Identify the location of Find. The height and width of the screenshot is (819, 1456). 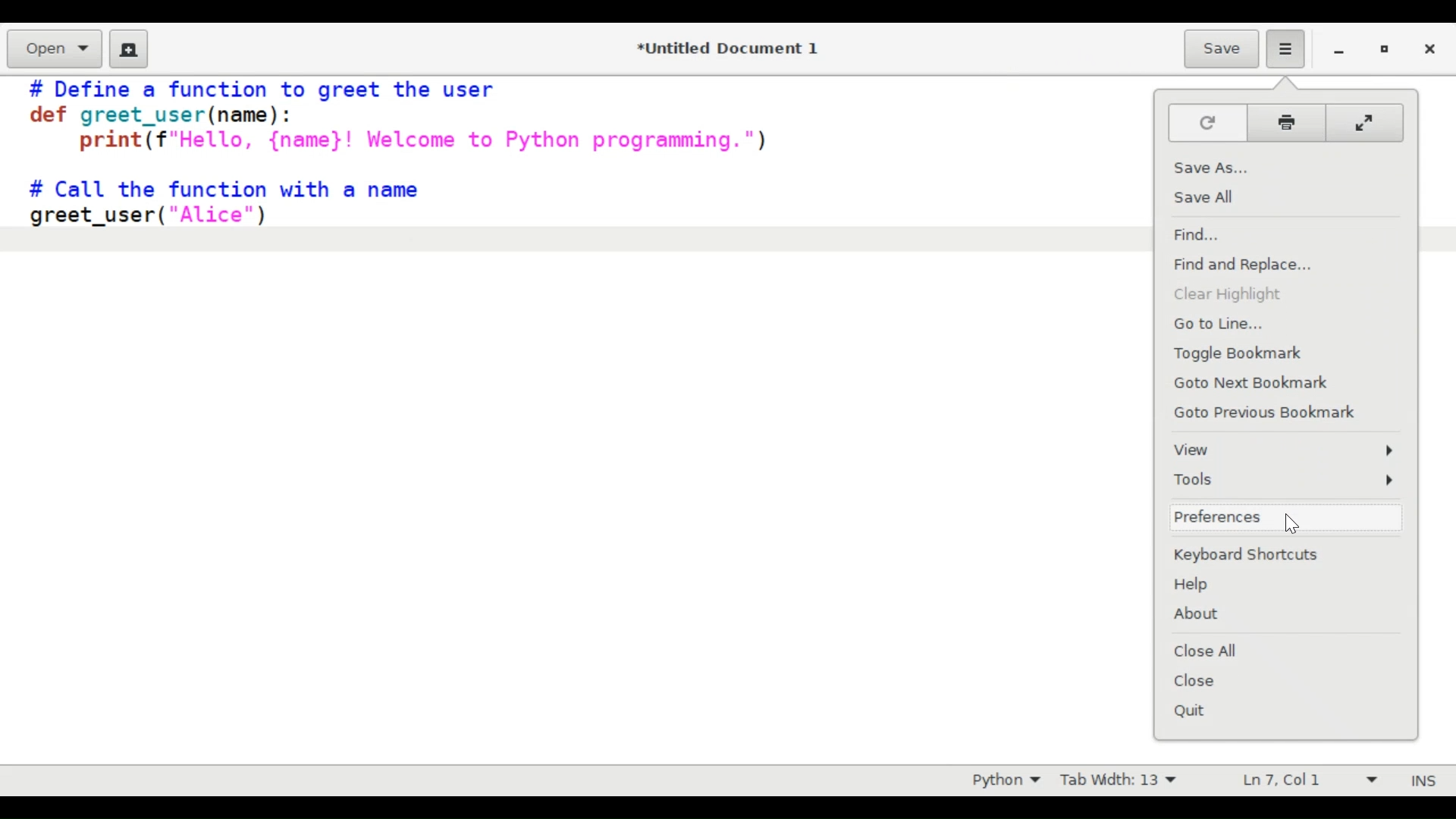
(1265, 234).